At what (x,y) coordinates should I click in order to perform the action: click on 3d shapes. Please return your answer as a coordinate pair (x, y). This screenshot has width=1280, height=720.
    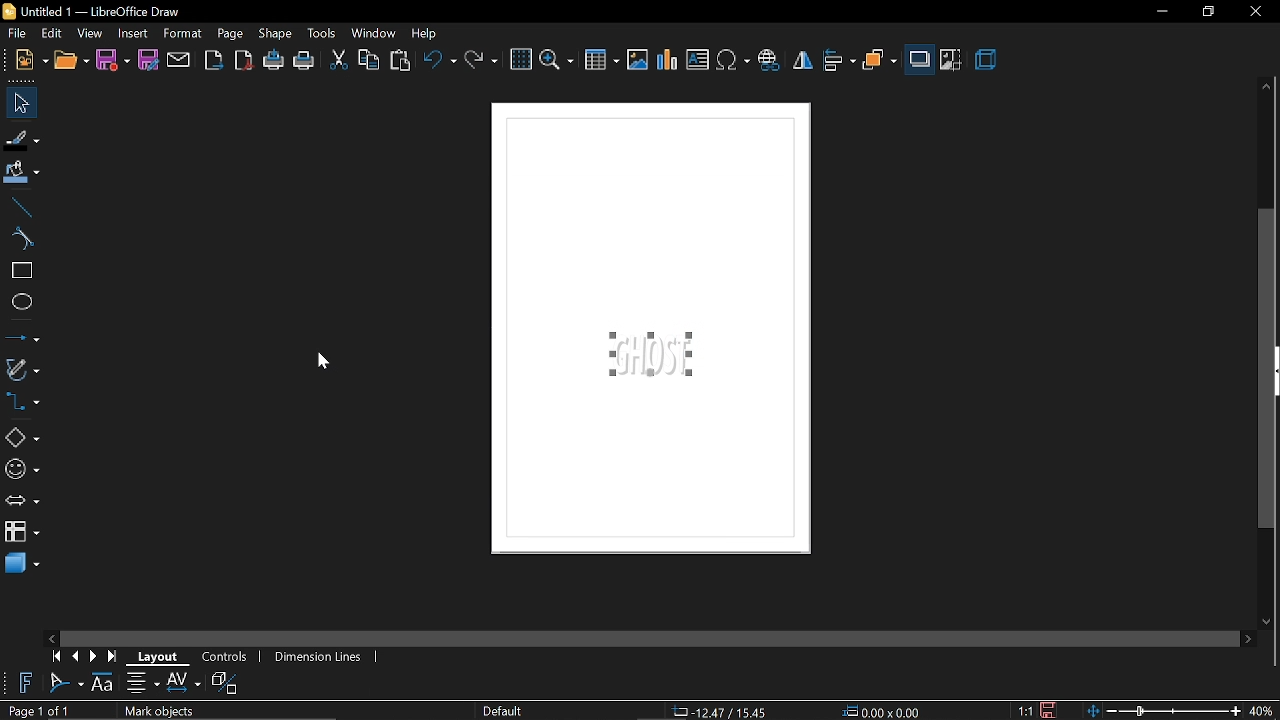
    Looking at the image, I should click on (20, 565).